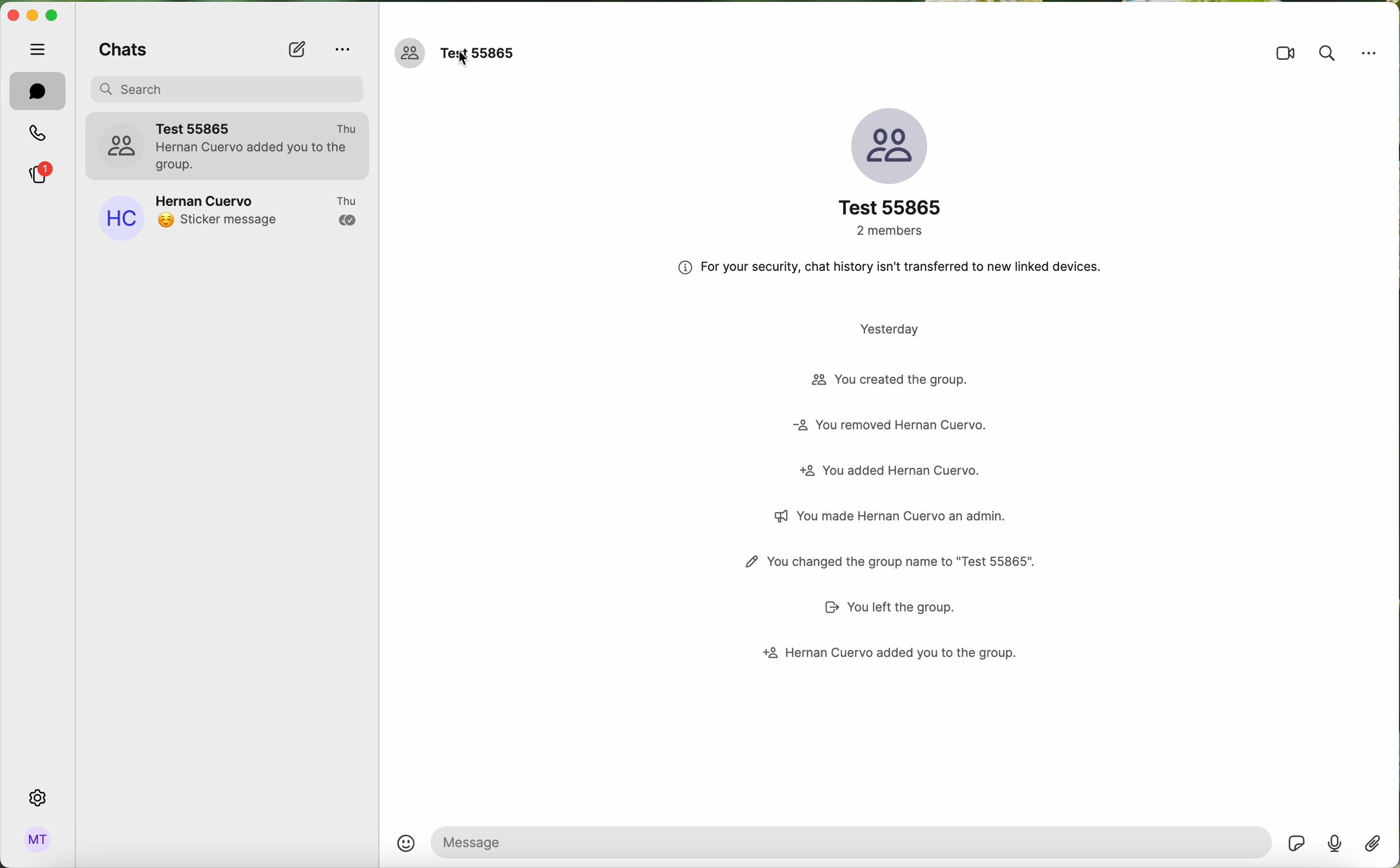  I want to click on attach file, so click(1374, 843).